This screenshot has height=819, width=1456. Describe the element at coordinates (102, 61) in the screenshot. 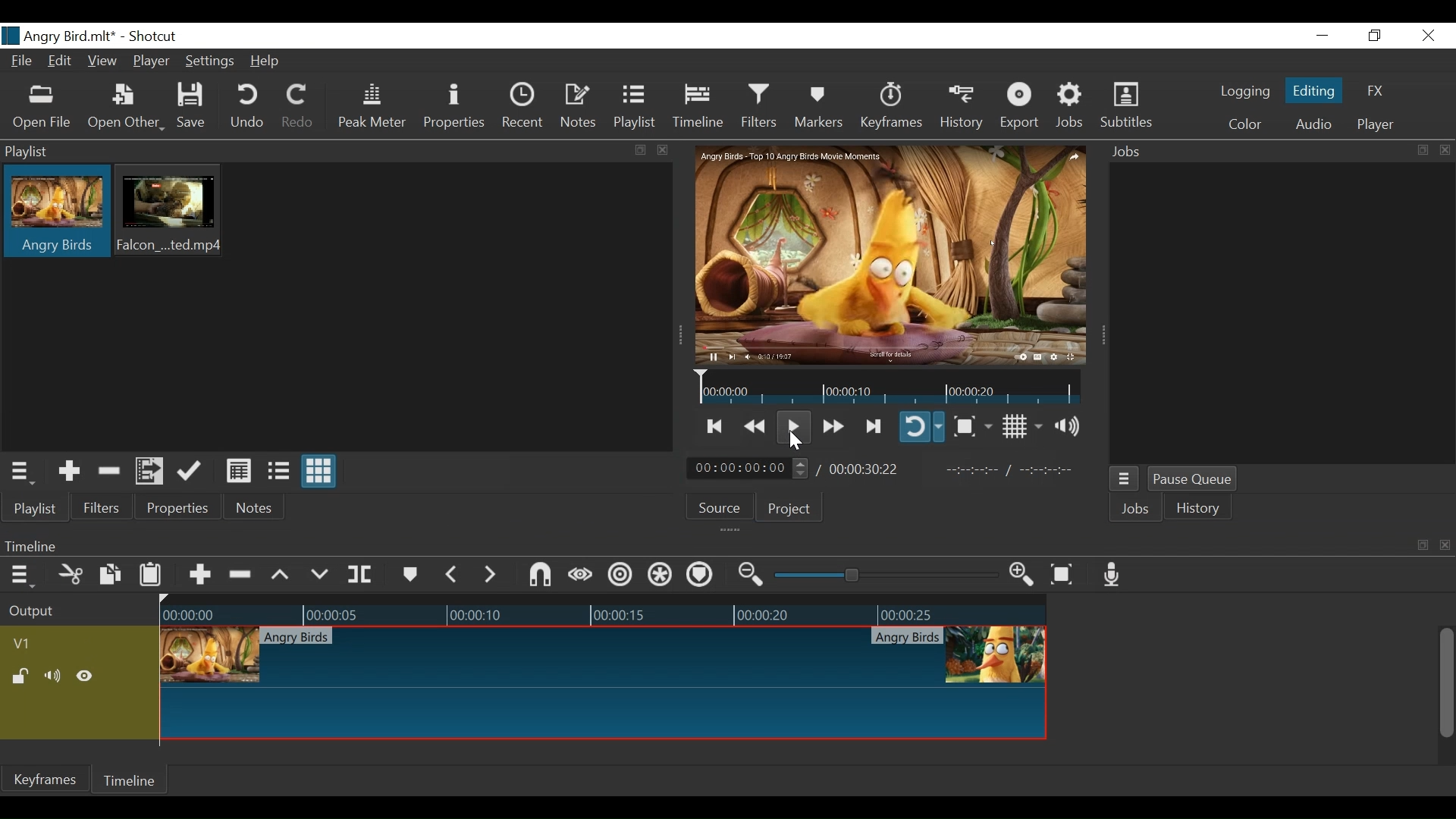

I see `View` at that location.